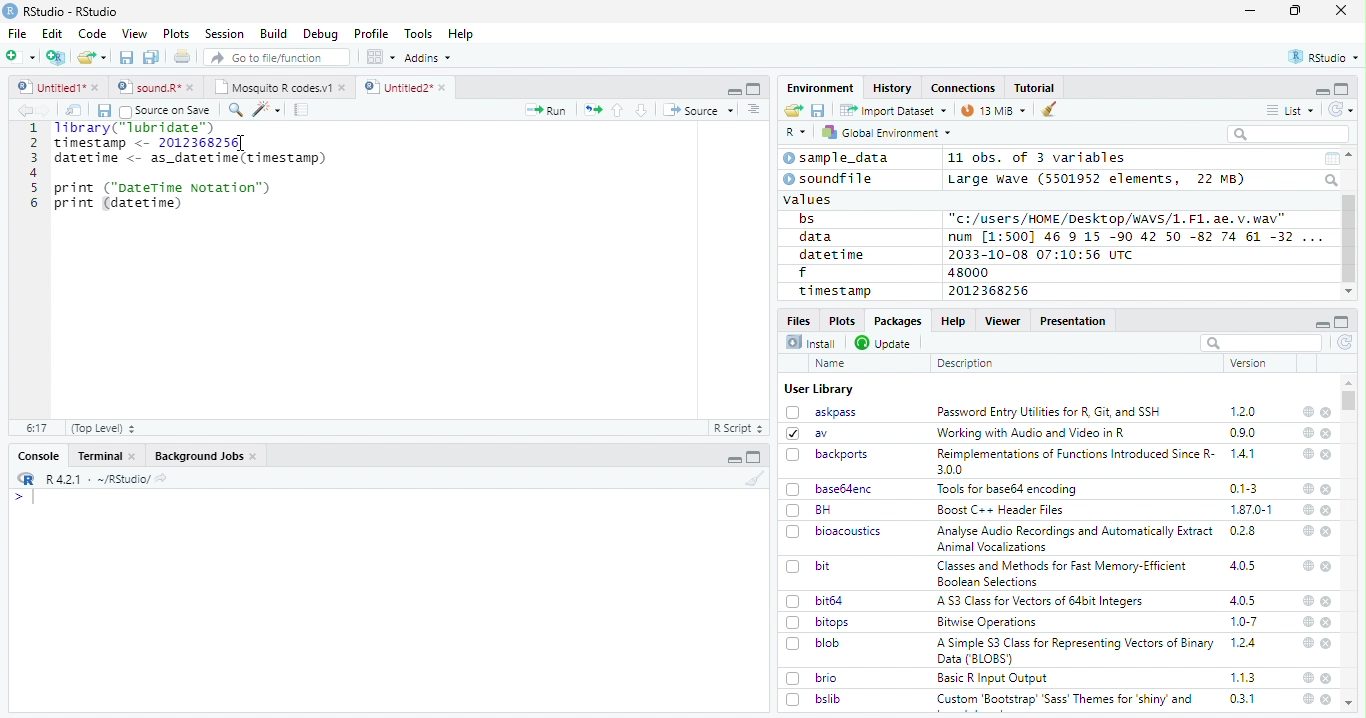  I want to click on History, so click(893, 88).